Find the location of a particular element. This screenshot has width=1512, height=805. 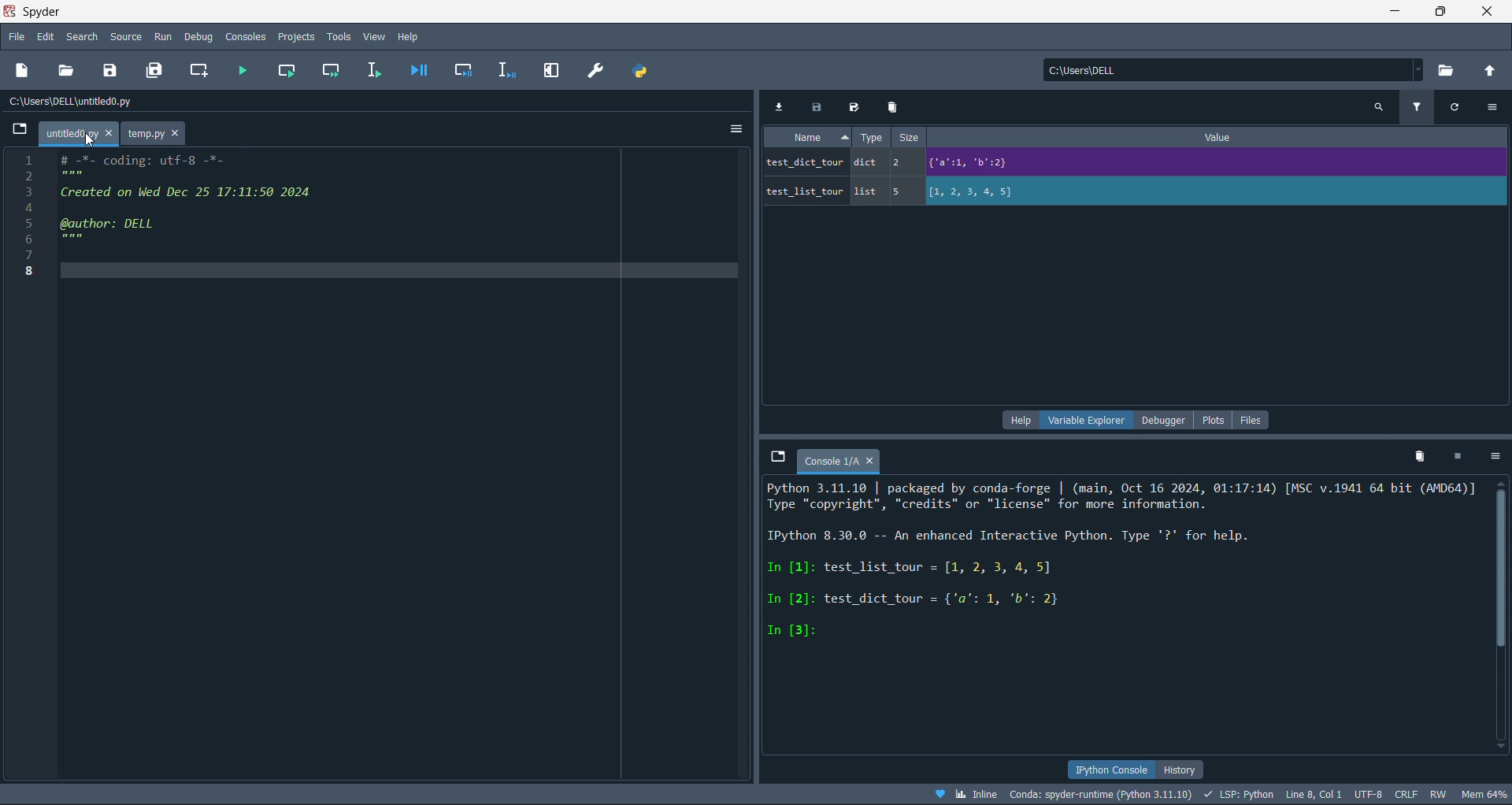

Conda: spyder-runtime(Python 3.11.10)) is located at coordinates (1101, 794).